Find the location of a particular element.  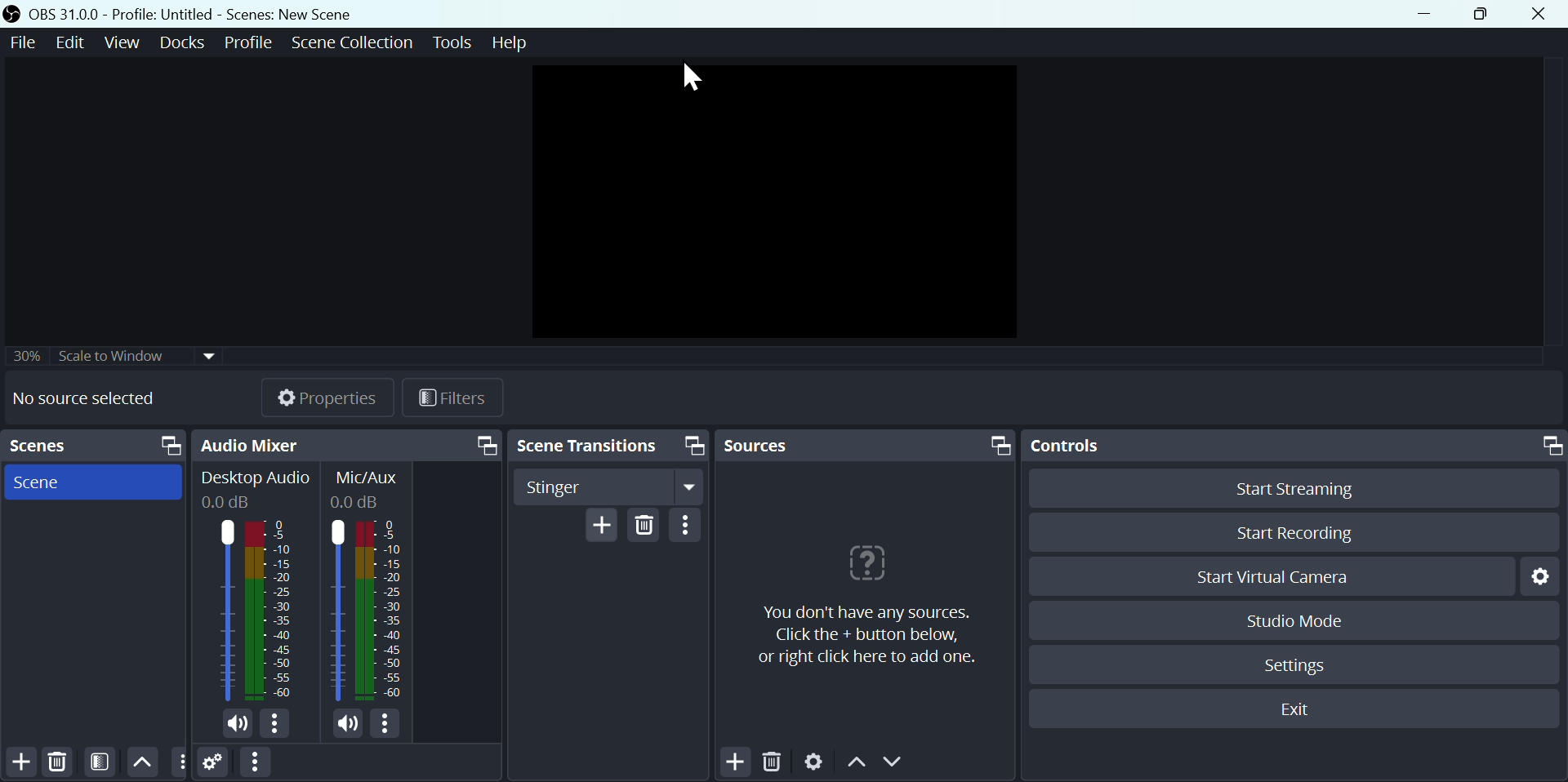

Settings is located at coordinates (214, 765).